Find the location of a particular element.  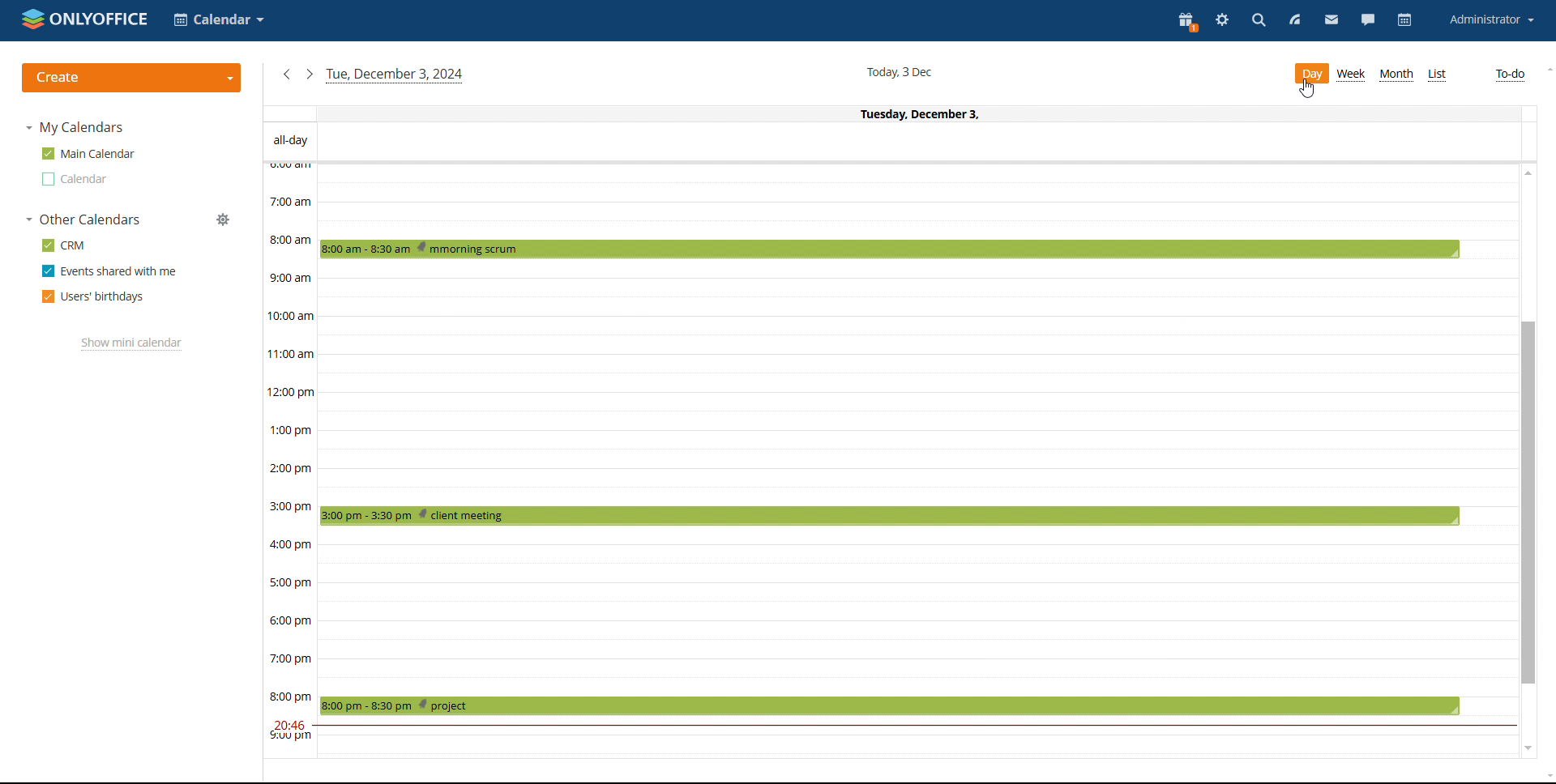

scrollbar is located at coordinates (1527, 502).